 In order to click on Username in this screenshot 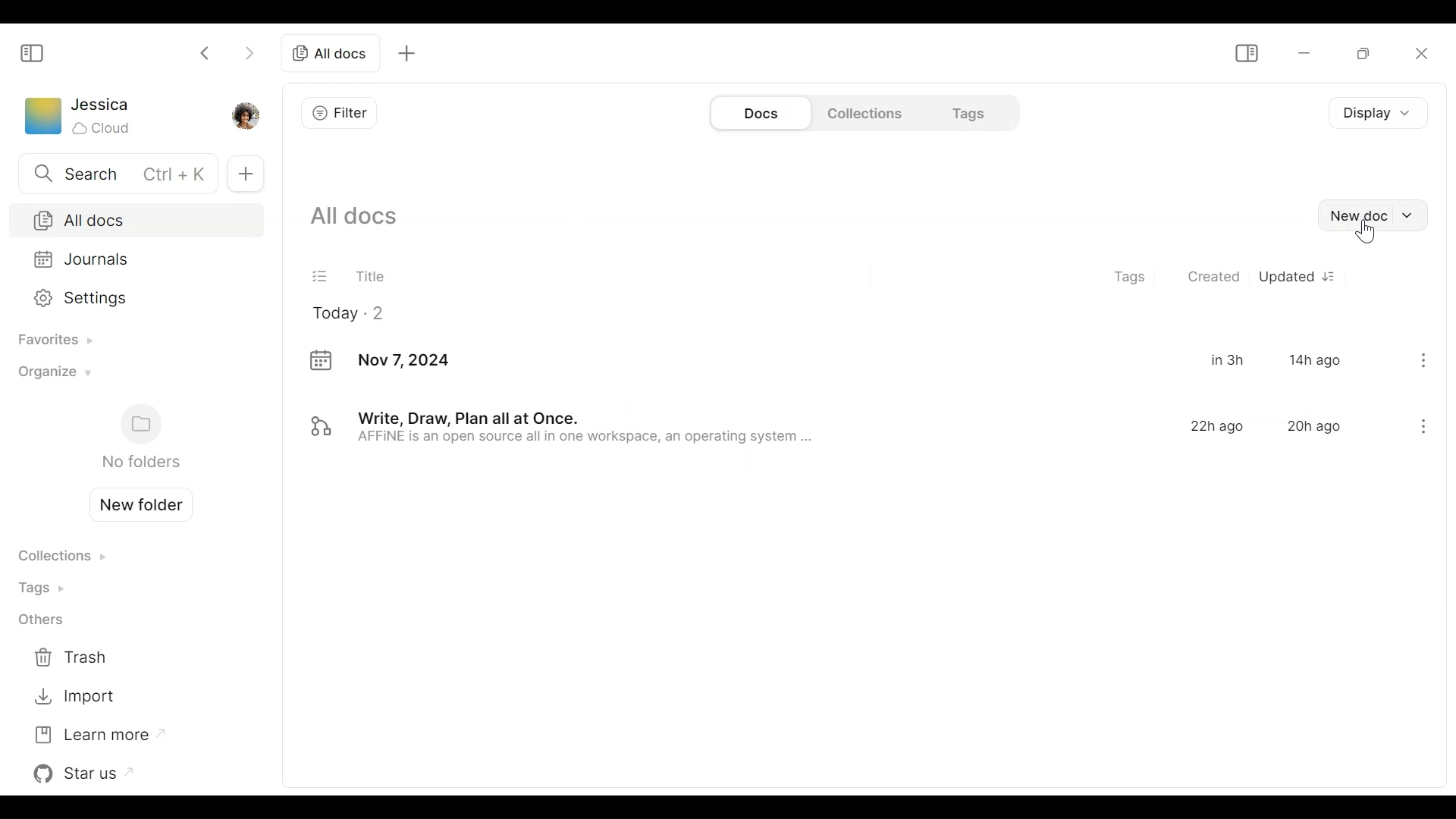, I will do `click(102, 105)`.